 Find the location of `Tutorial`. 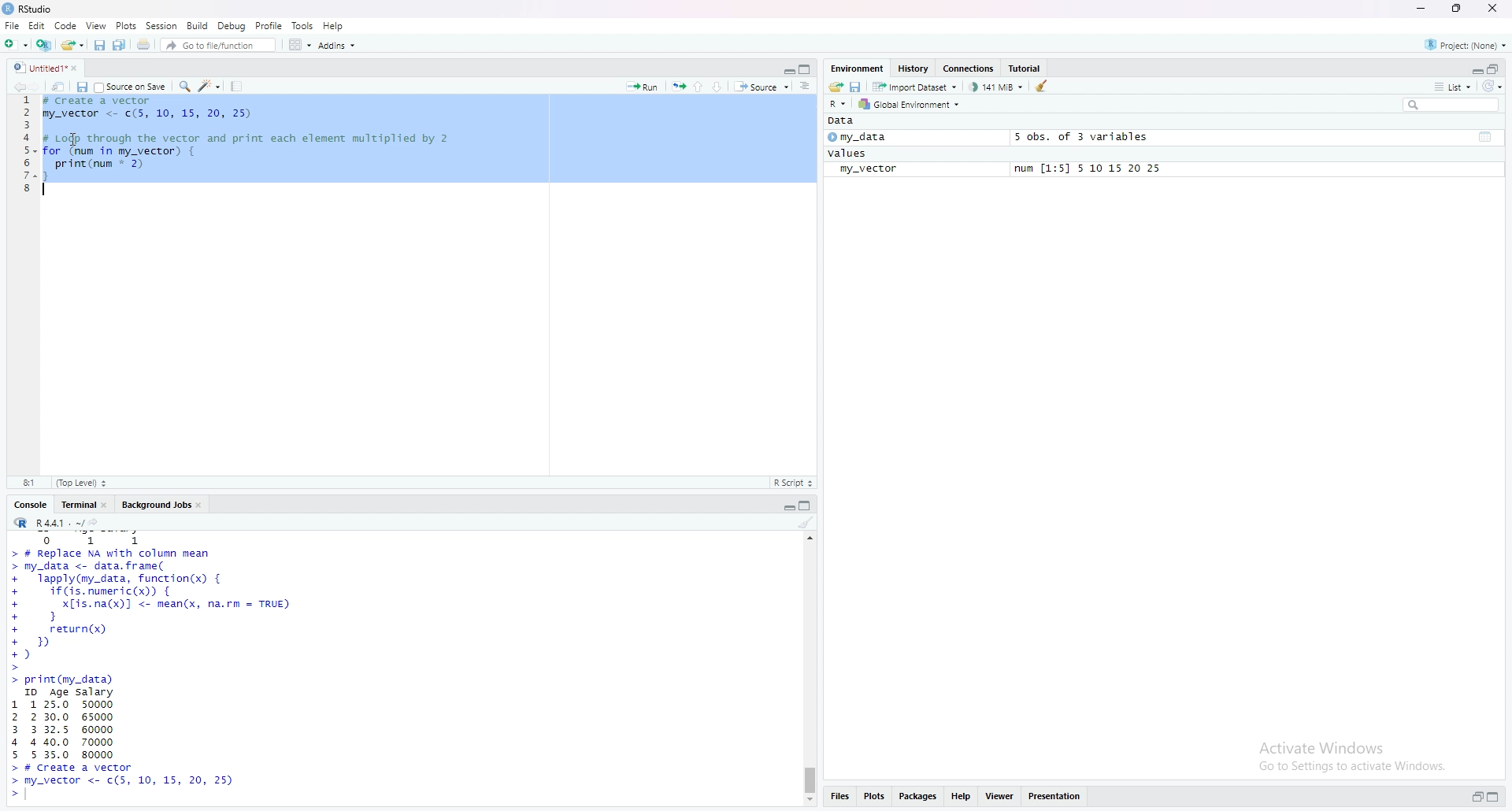

Tutorial is located at coordinates (1027, 67).